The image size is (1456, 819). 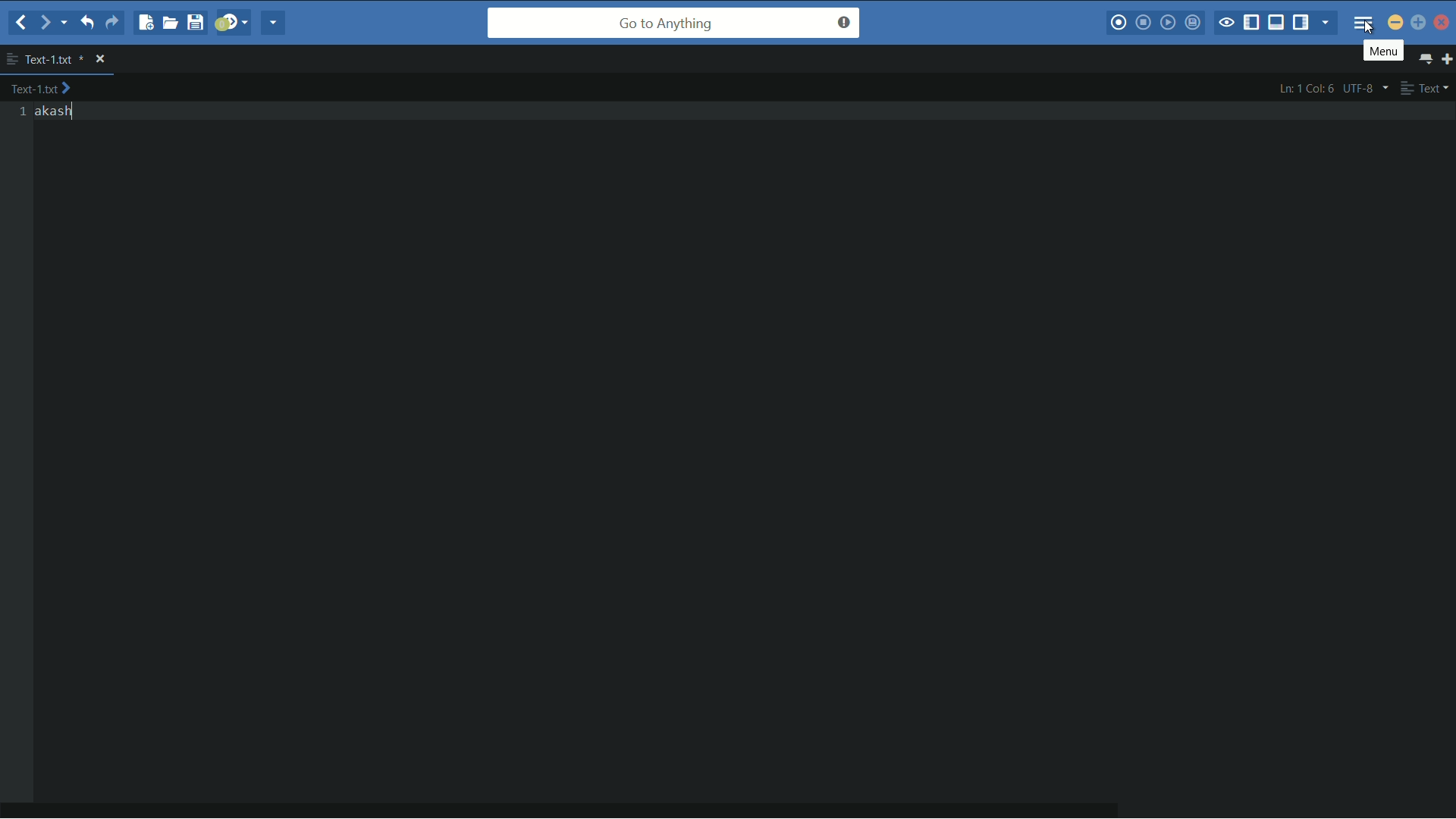 What do you see at coordinates (234, 23) in the screenshot?
I see `jump to next syntax checking result` at bounding box center [234, 23].